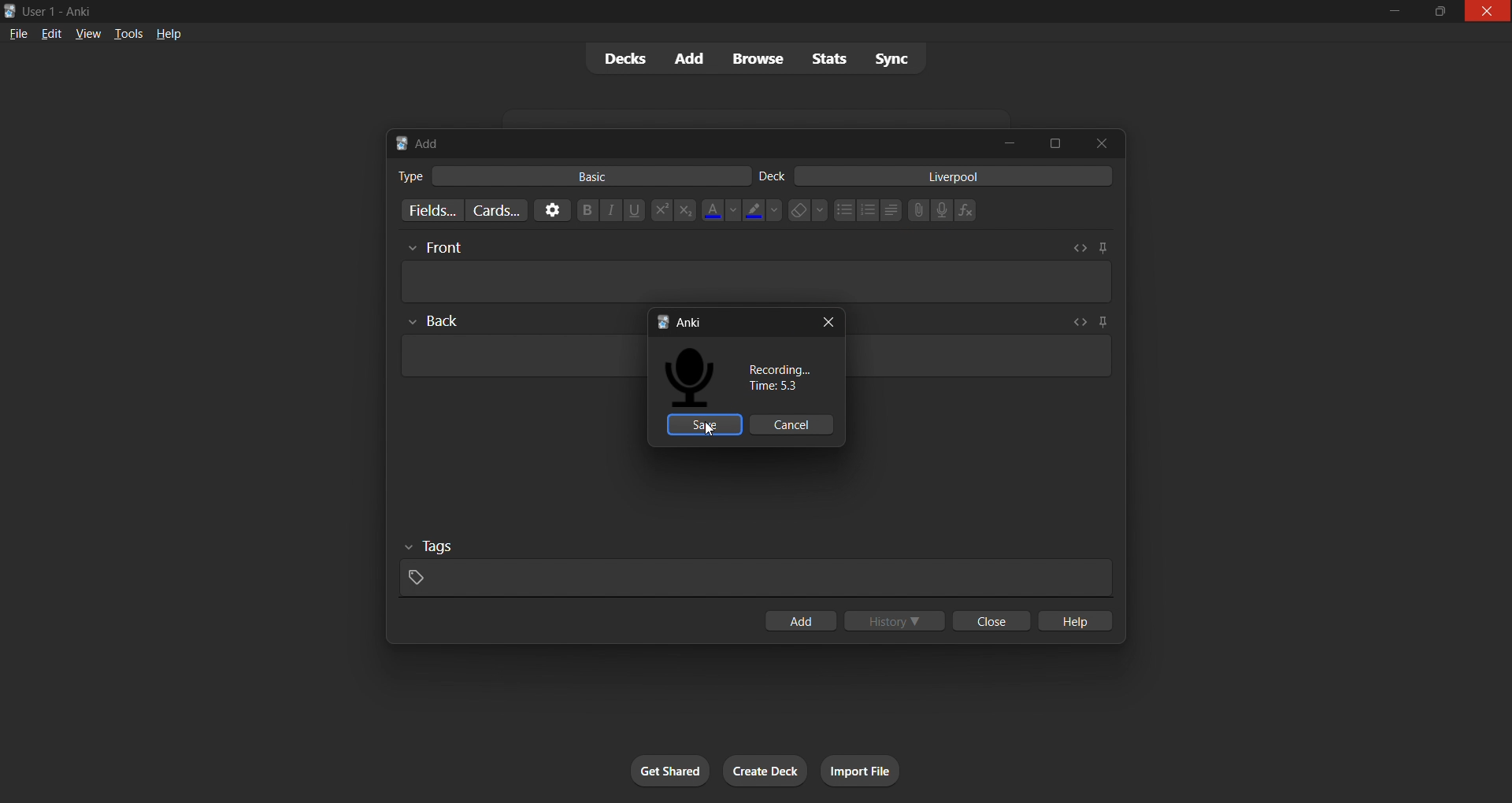 The height and width of the screenshot is (803, 1512). I want to click on create deck, so click(769, 768).